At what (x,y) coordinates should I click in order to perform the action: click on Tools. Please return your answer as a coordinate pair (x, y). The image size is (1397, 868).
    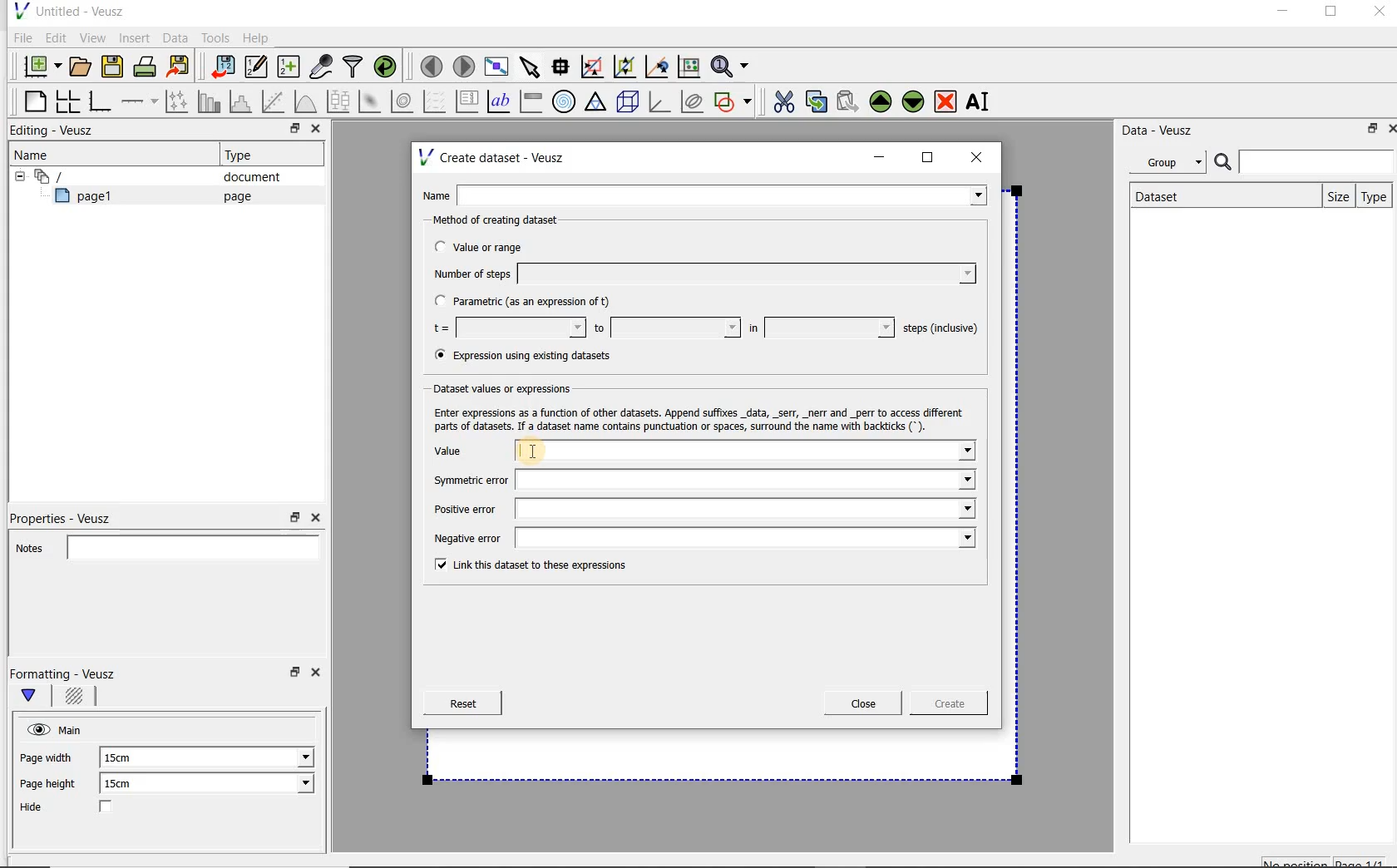
    Looking at the image, I should click on (214, 38).